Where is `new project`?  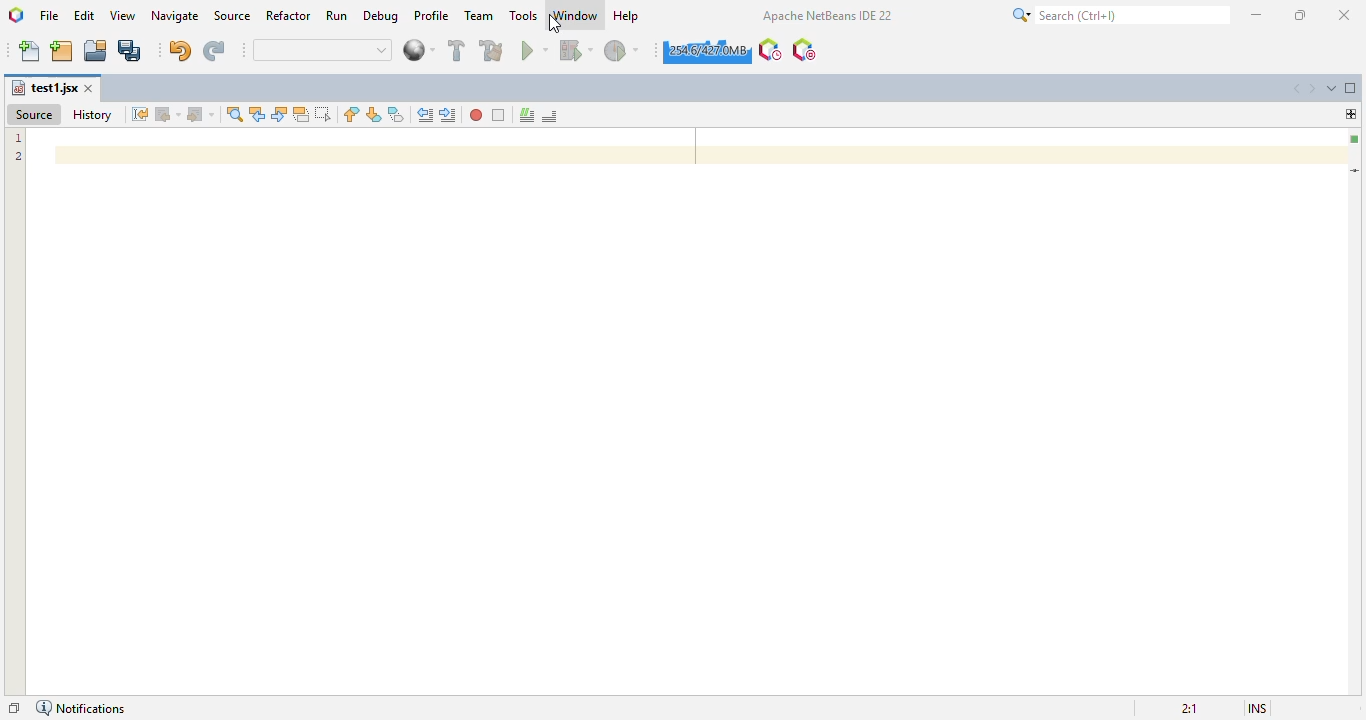
new project is located at coordinates (62, 52).